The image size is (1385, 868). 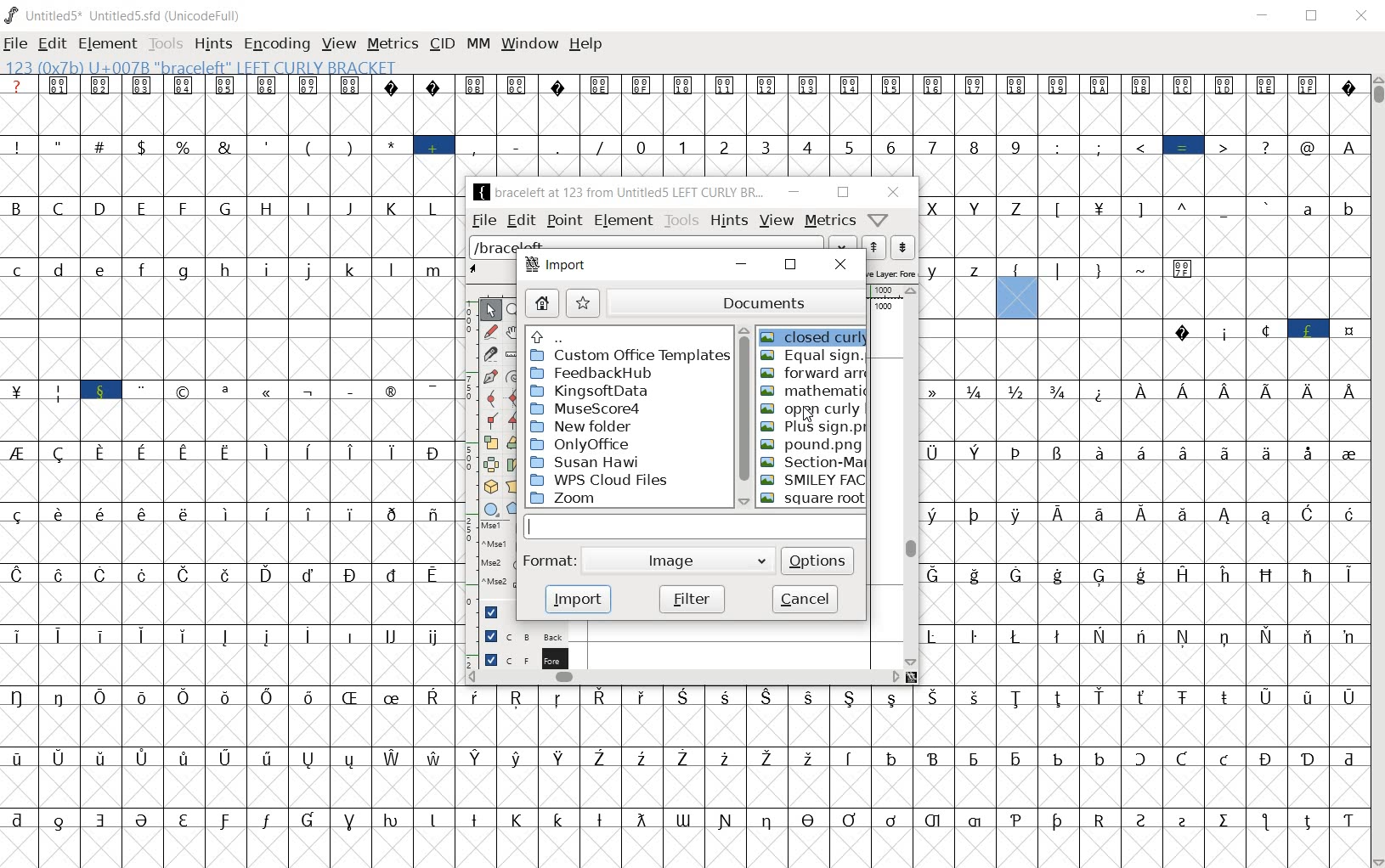 What do you see at coordinates (601, 479) in the screenshot?
I see `WPS Cloud Files` at bounding box center [601, 479].